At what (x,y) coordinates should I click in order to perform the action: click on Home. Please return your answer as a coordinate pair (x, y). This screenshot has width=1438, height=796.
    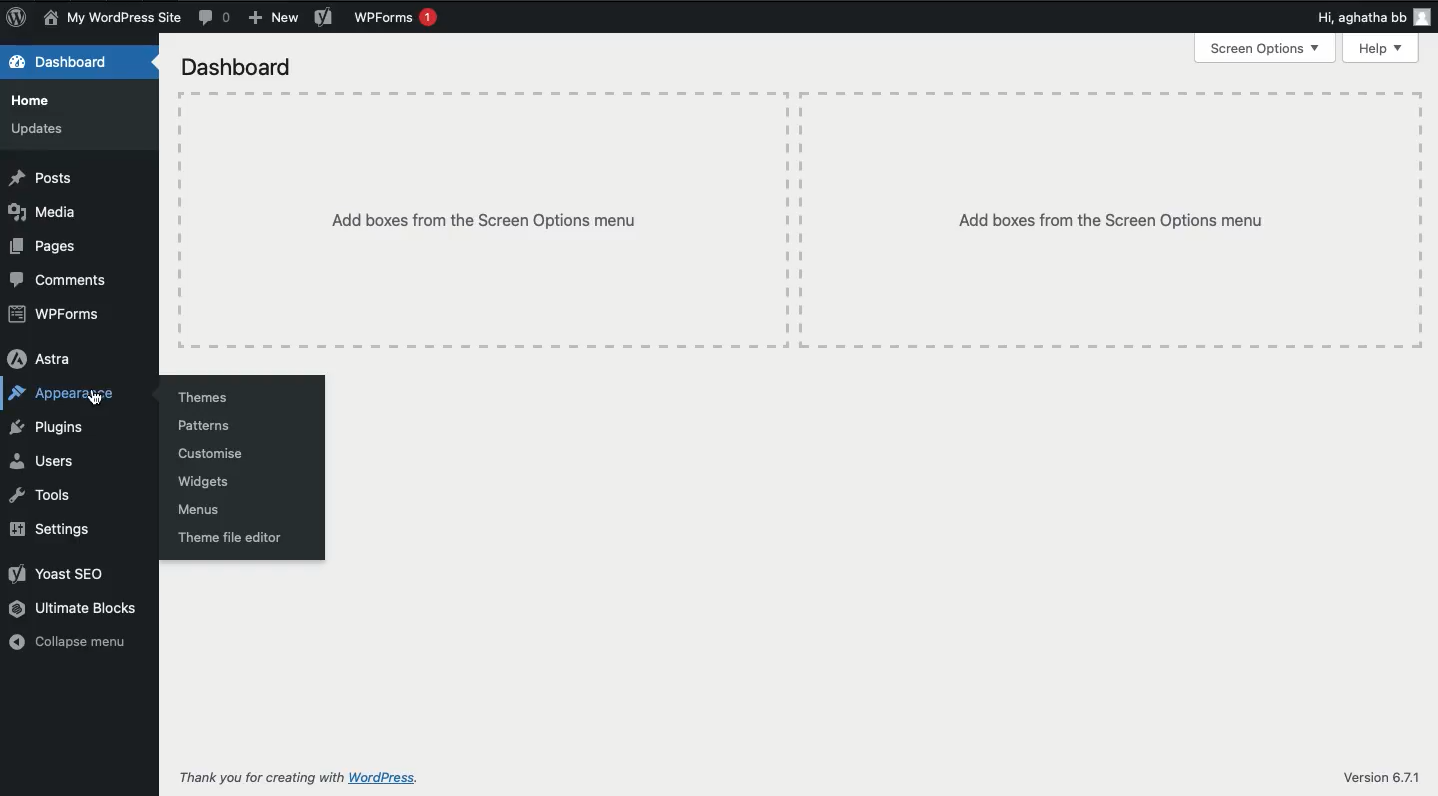
    Looking at the image, I should click on (39, 104).